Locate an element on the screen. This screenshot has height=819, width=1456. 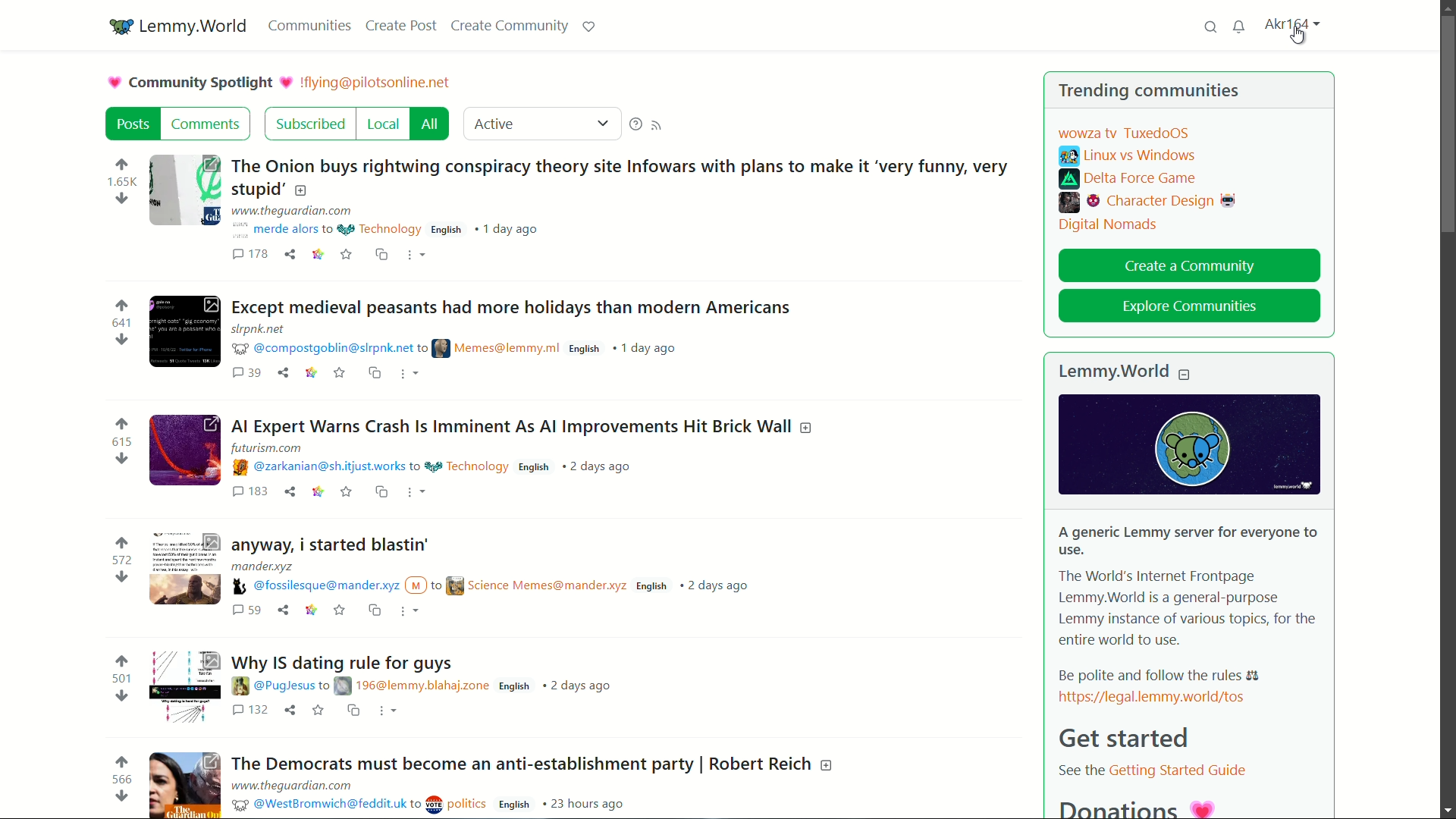
trending communities is located at coordinates (1150, 91).